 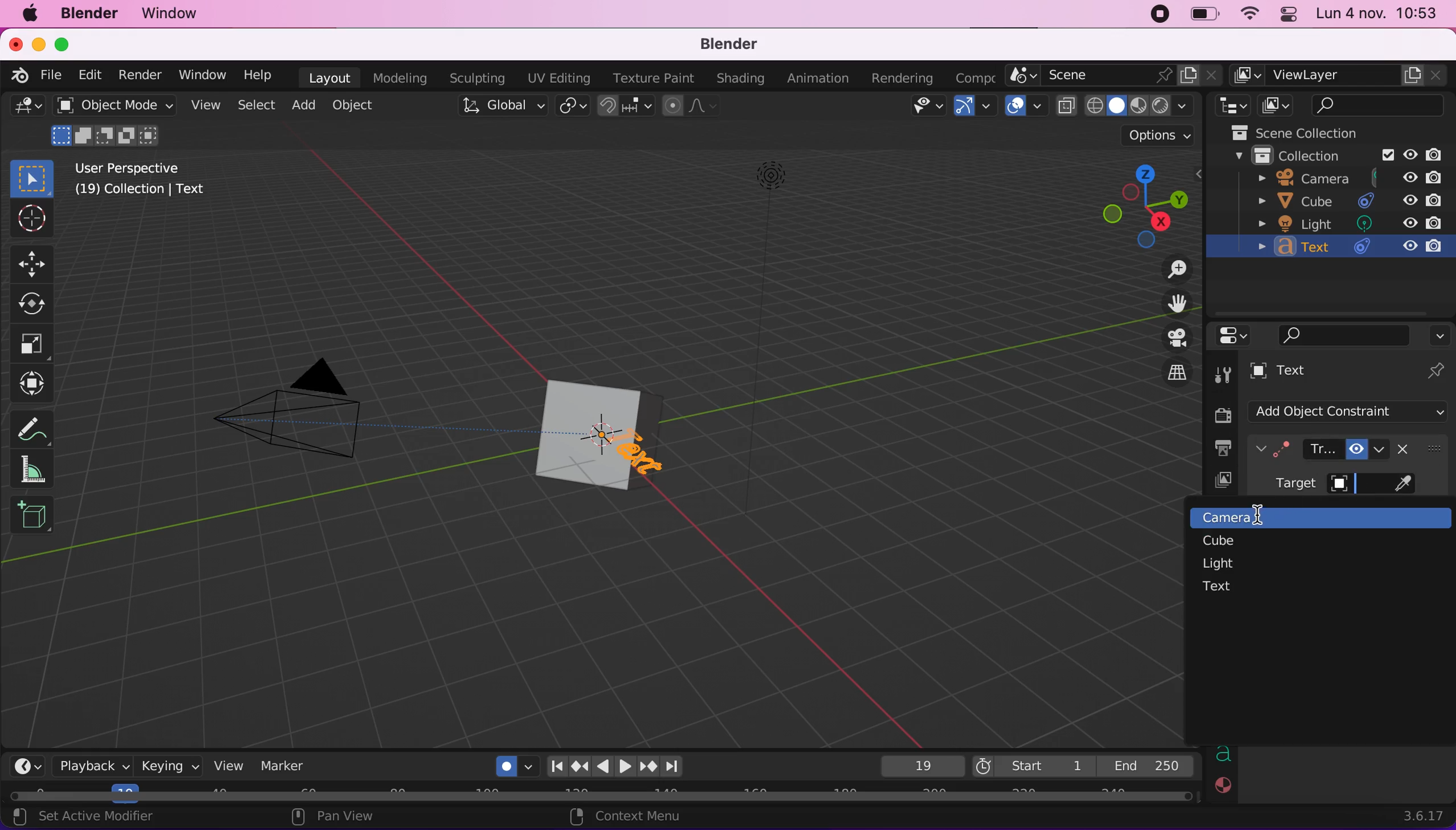 I want to click on 19, so click(x=914, y=767).